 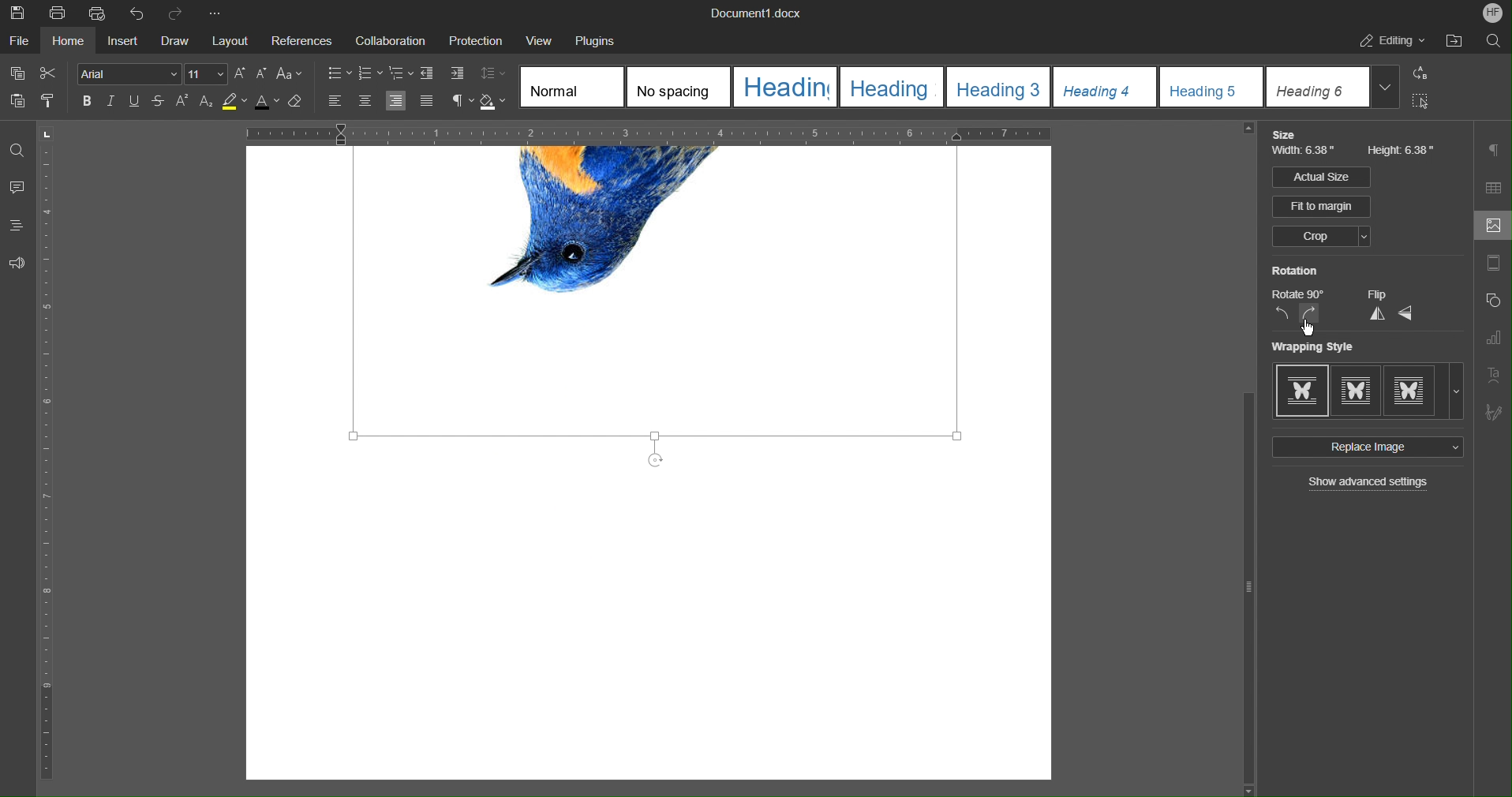 I want to click on Increase Indent, so click(x=451, y=73).